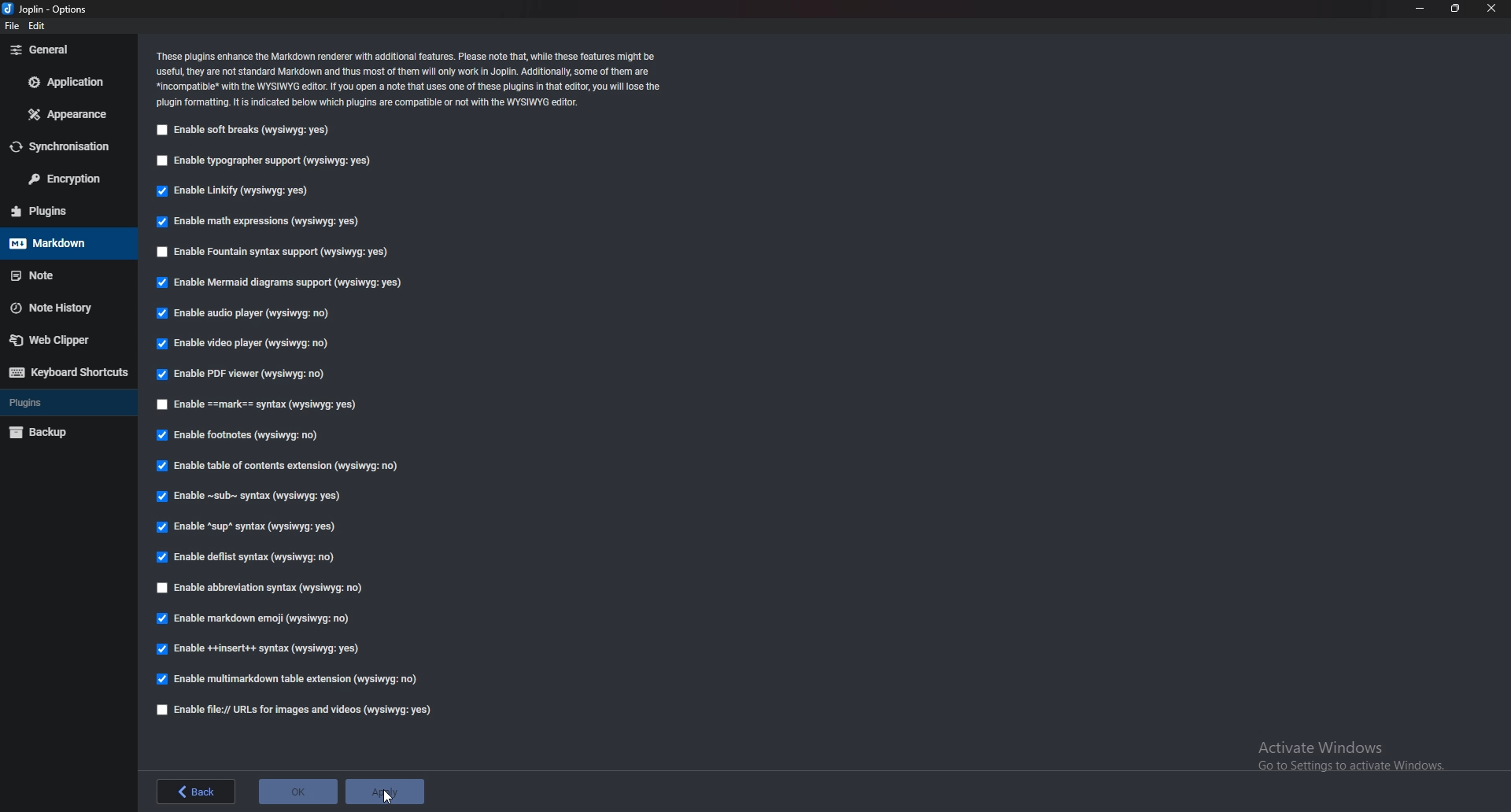 The width and height of the screenshot is (1511, 812). Describe the element at coordinates (61, 404) in the screenshot. I see `Plugins` at that location.